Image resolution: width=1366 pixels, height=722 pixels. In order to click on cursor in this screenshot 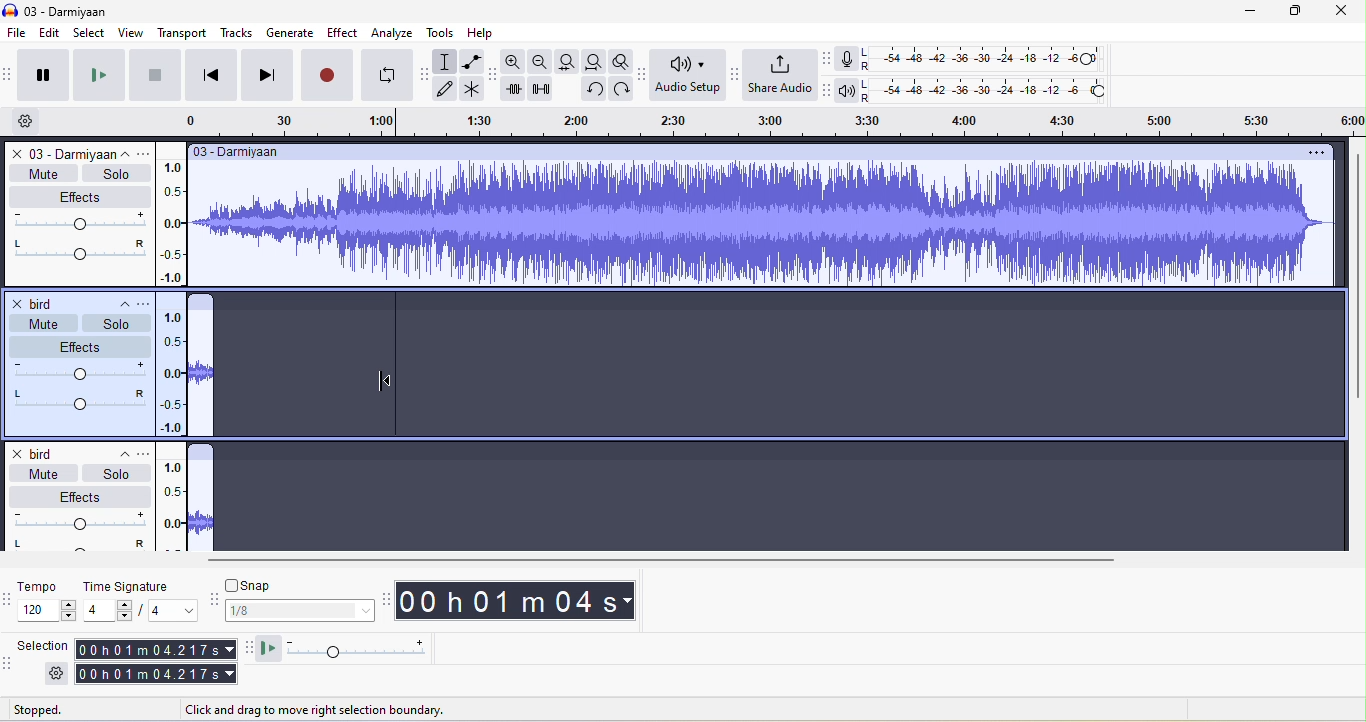, I will do `click(385, 381)`.